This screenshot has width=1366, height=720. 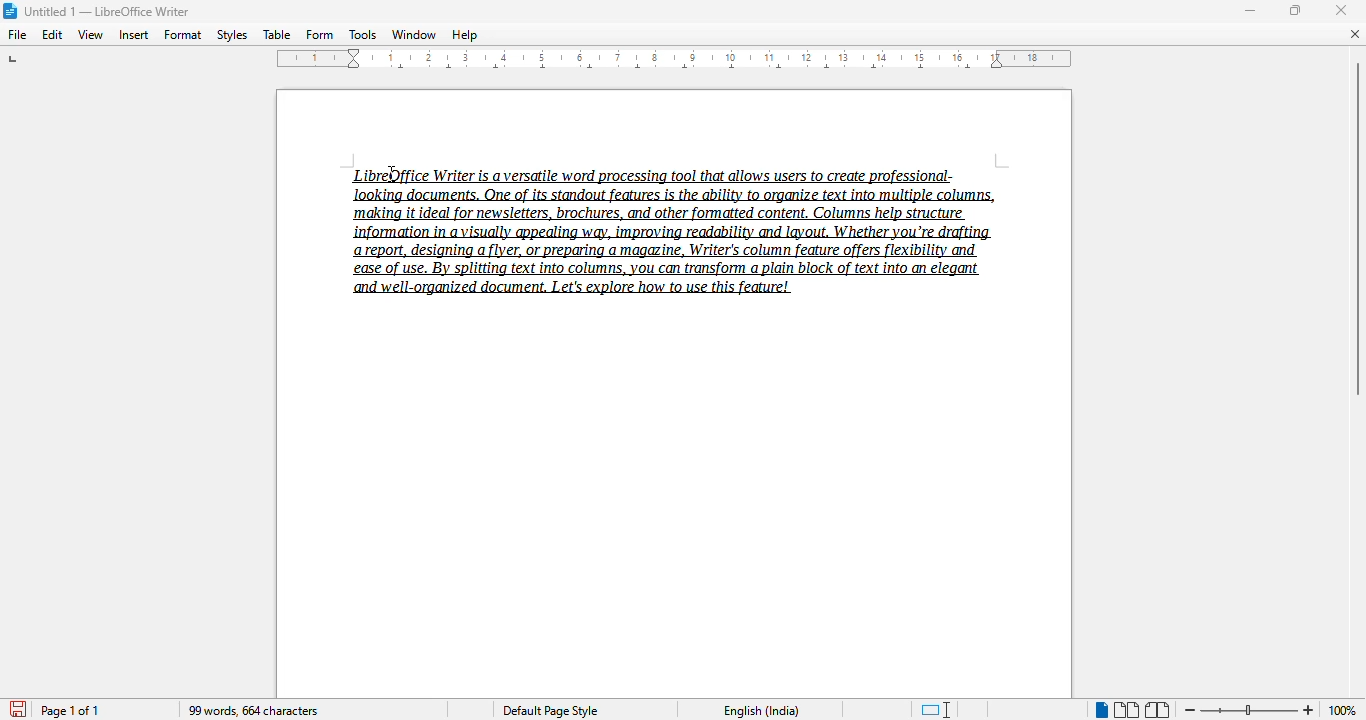 What do you see at coordinates (1294, 10) in the screenshot?
I see `maximize` at bounding box center [1294, 10].